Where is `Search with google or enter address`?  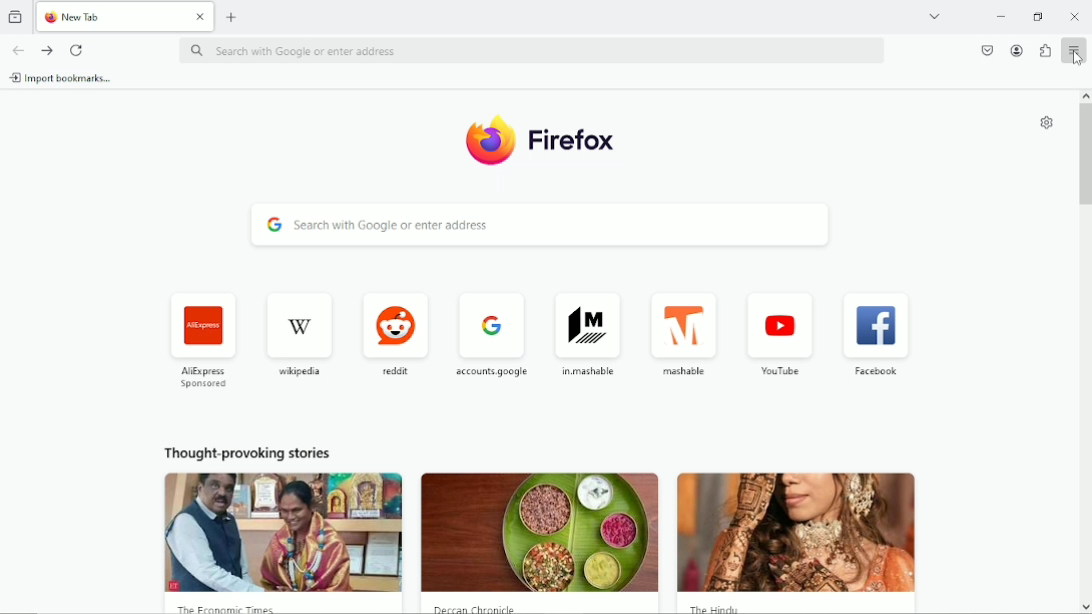
Search with google or enter address is located at coordinates (532, 50).